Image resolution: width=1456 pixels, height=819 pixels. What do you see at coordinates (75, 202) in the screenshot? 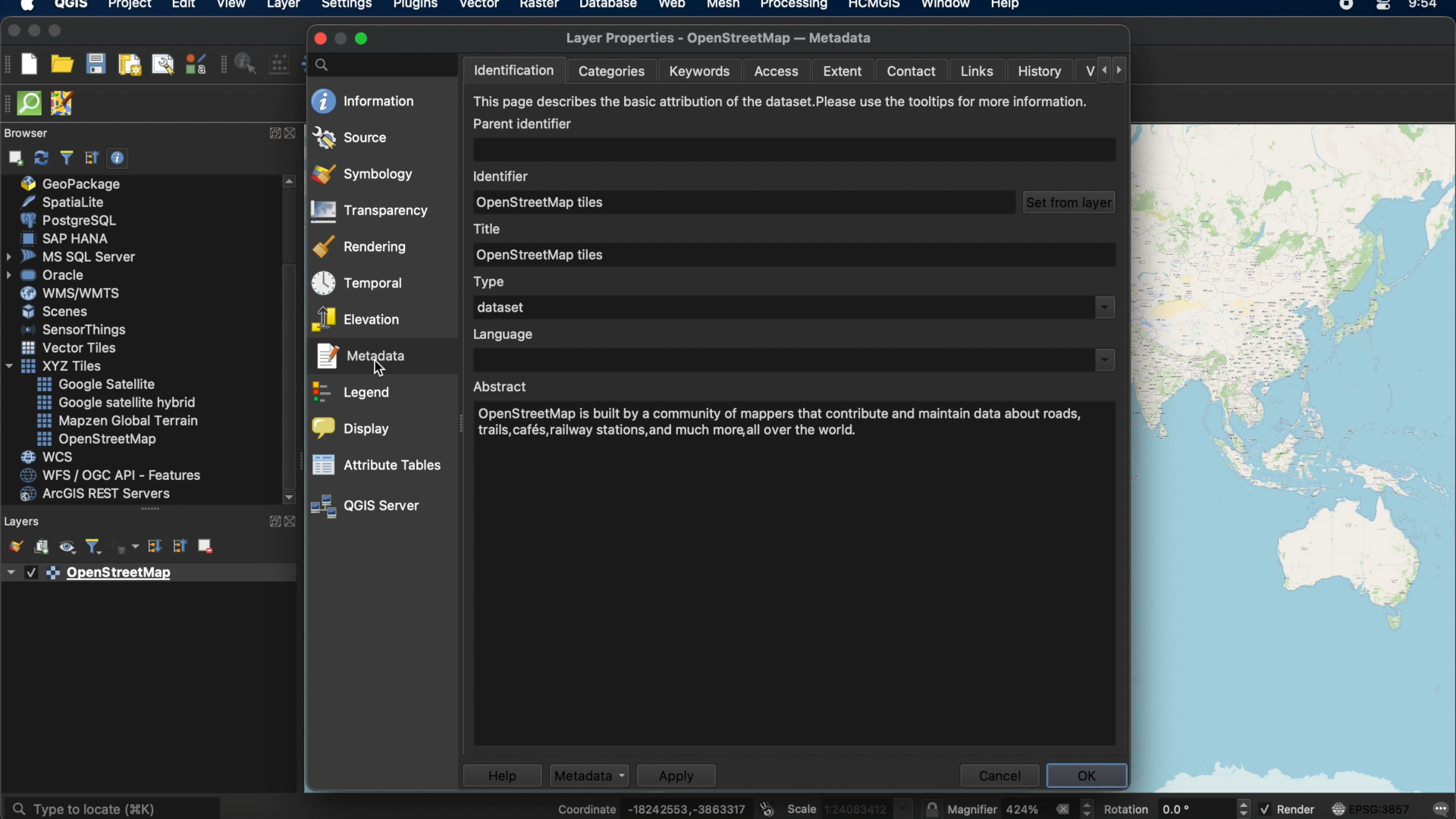
I see `spatiallite` at bounding box center [75, 202].